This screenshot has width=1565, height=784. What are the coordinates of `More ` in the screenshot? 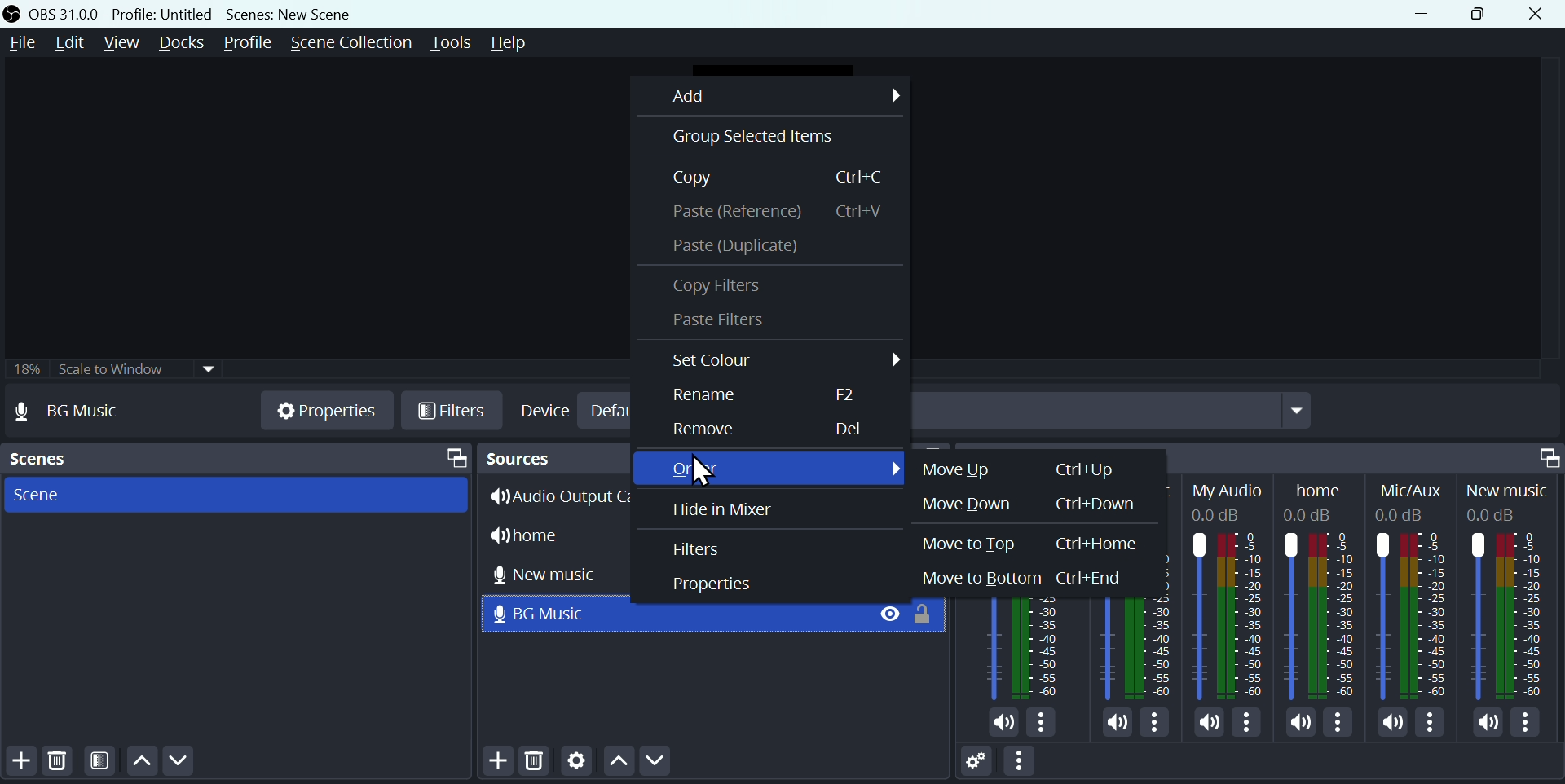 It's located at (1028, 764).